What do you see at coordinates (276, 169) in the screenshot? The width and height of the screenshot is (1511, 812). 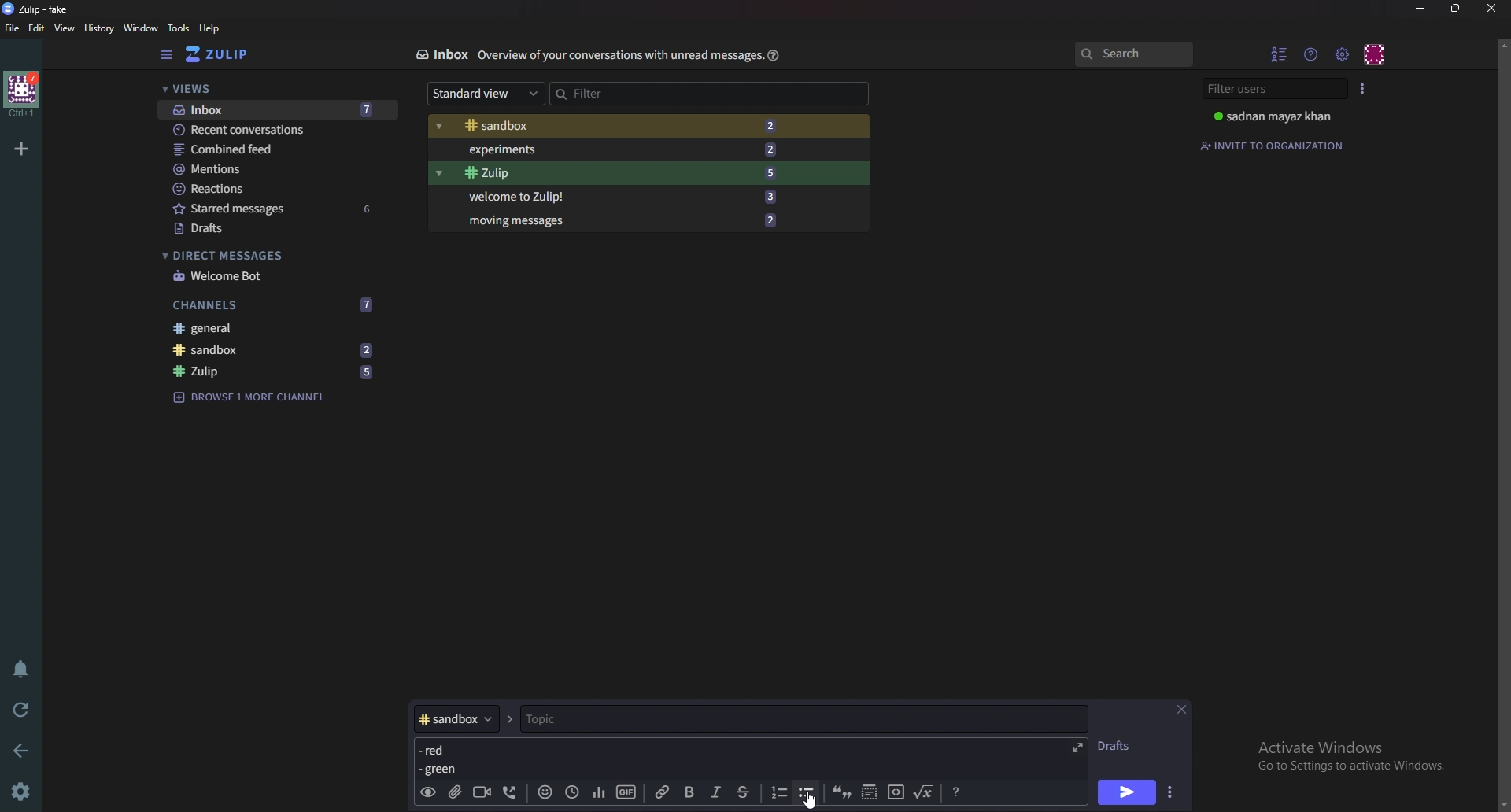 I see `Mentions` at bounding box center [276, 169].